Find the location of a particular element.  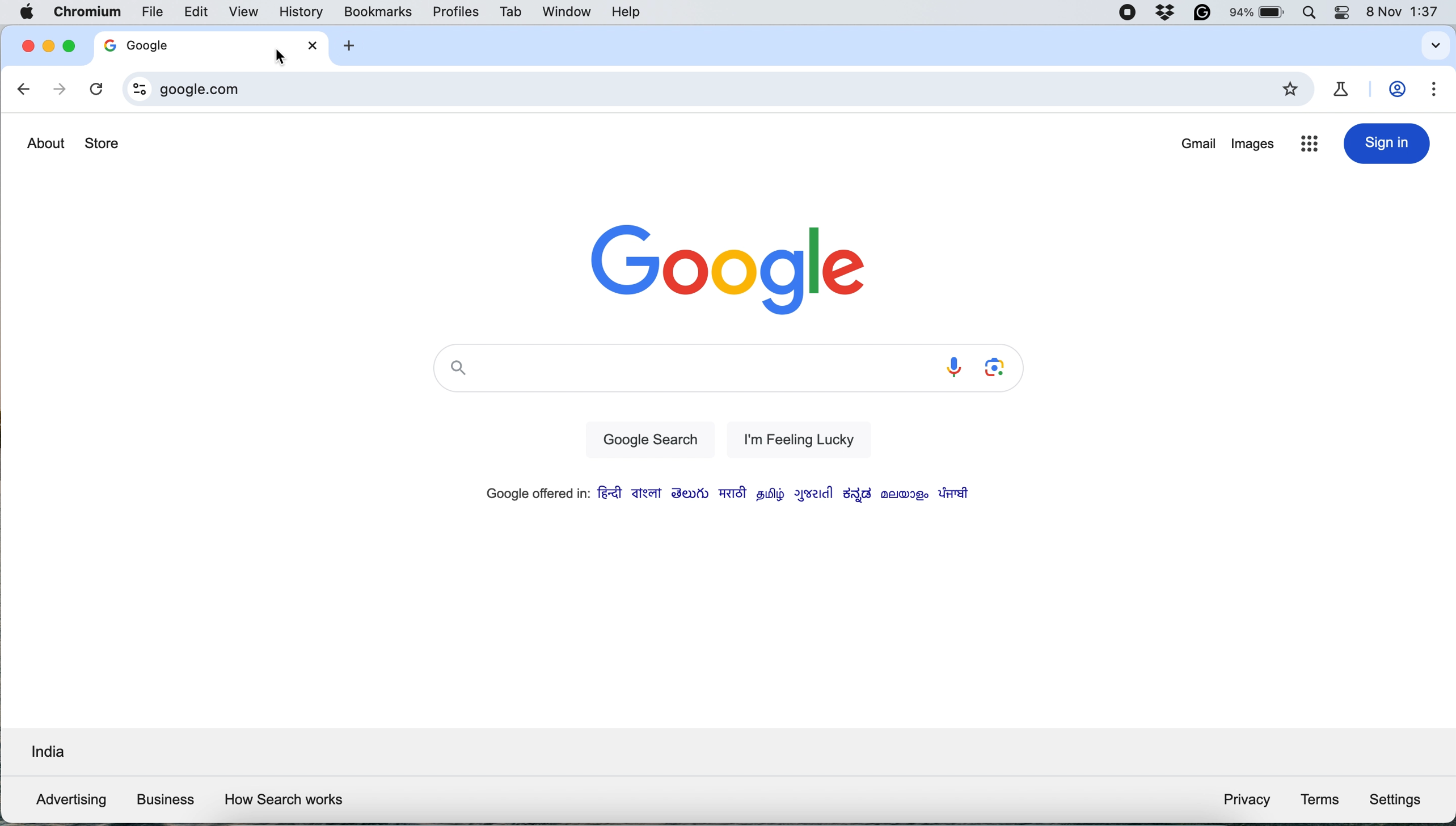

add new tab is located at coordinates (348, 47).